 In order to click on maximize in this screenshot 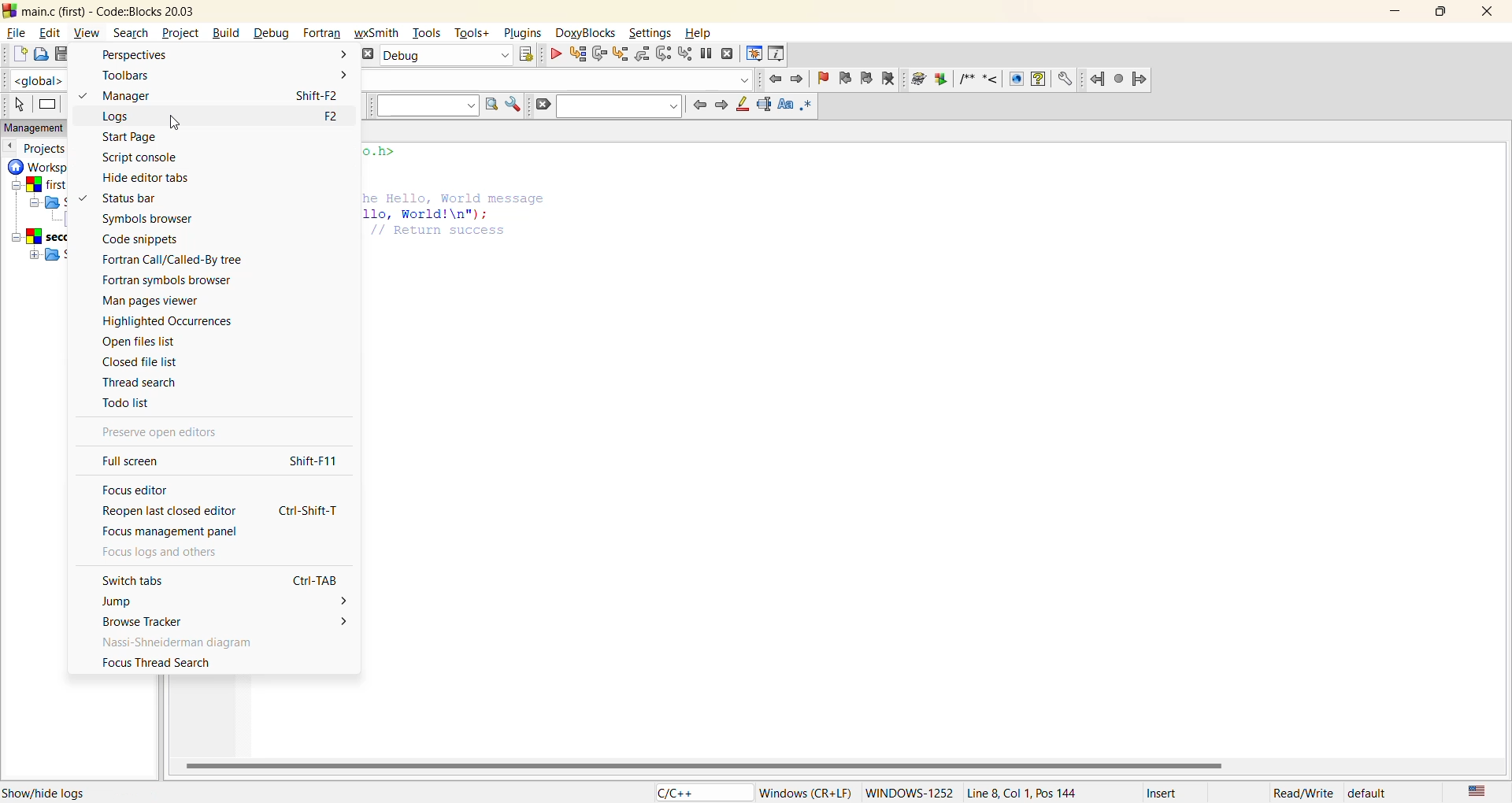, I will do `click(1442, 12)`.